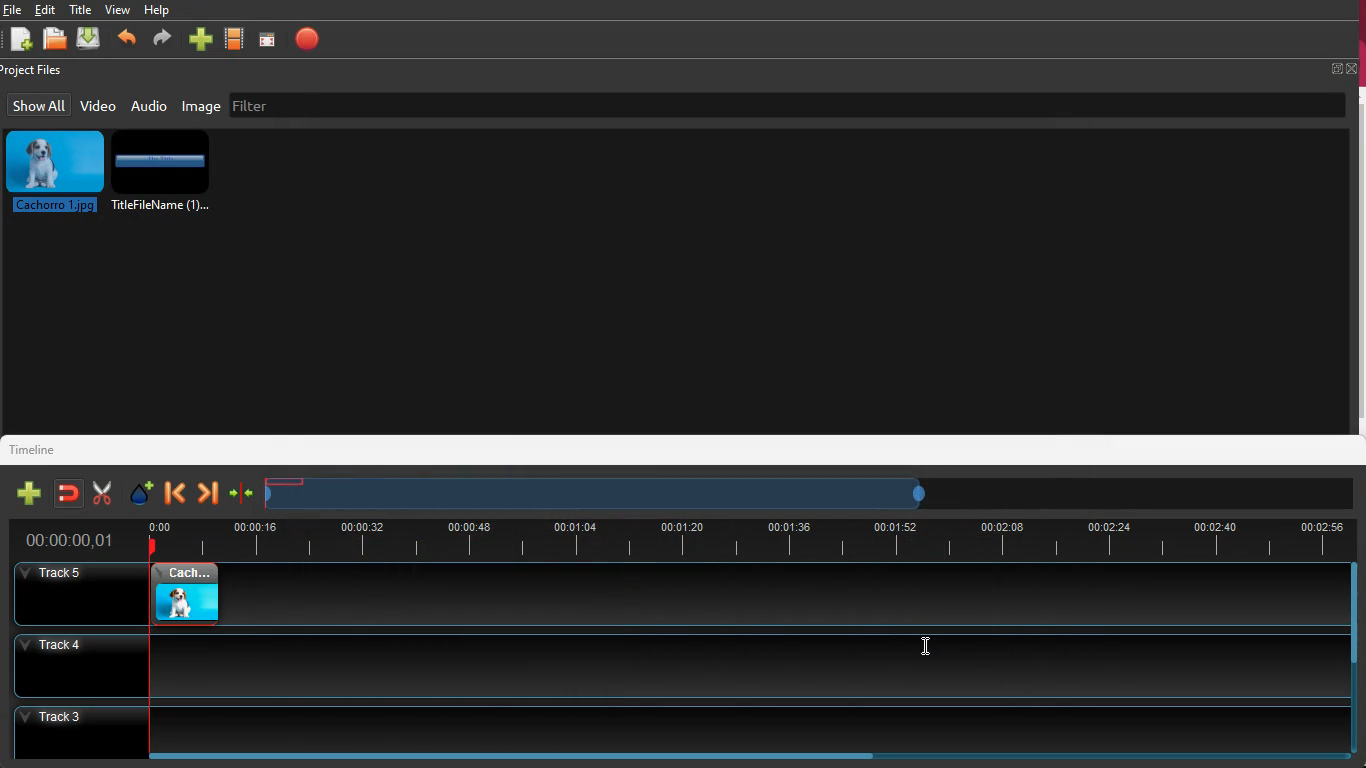 The image size is (1366, 768). I want to click on timeline, so click(41, 448).